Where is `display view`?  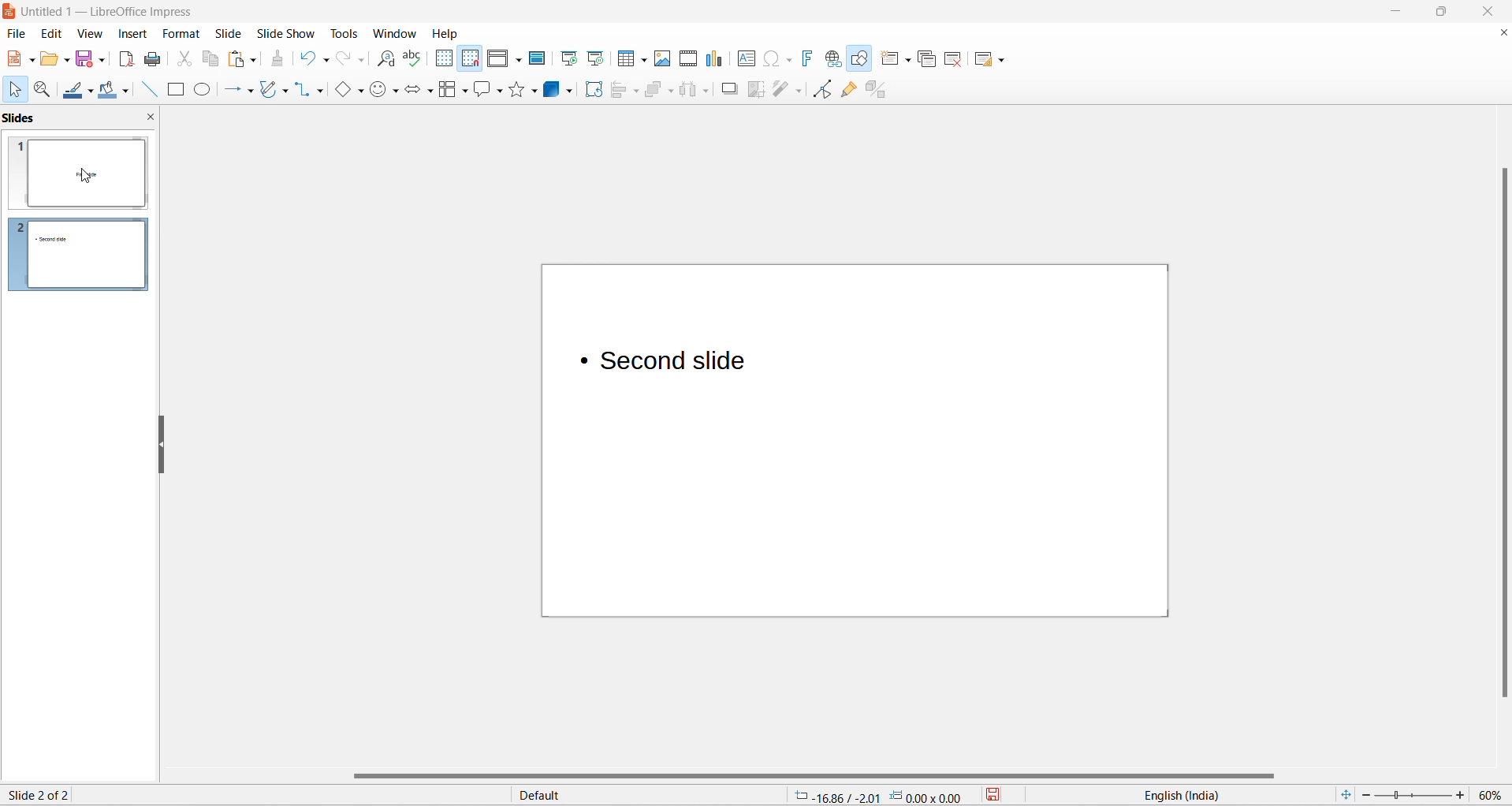
display view is located at coordinates (498, 59).